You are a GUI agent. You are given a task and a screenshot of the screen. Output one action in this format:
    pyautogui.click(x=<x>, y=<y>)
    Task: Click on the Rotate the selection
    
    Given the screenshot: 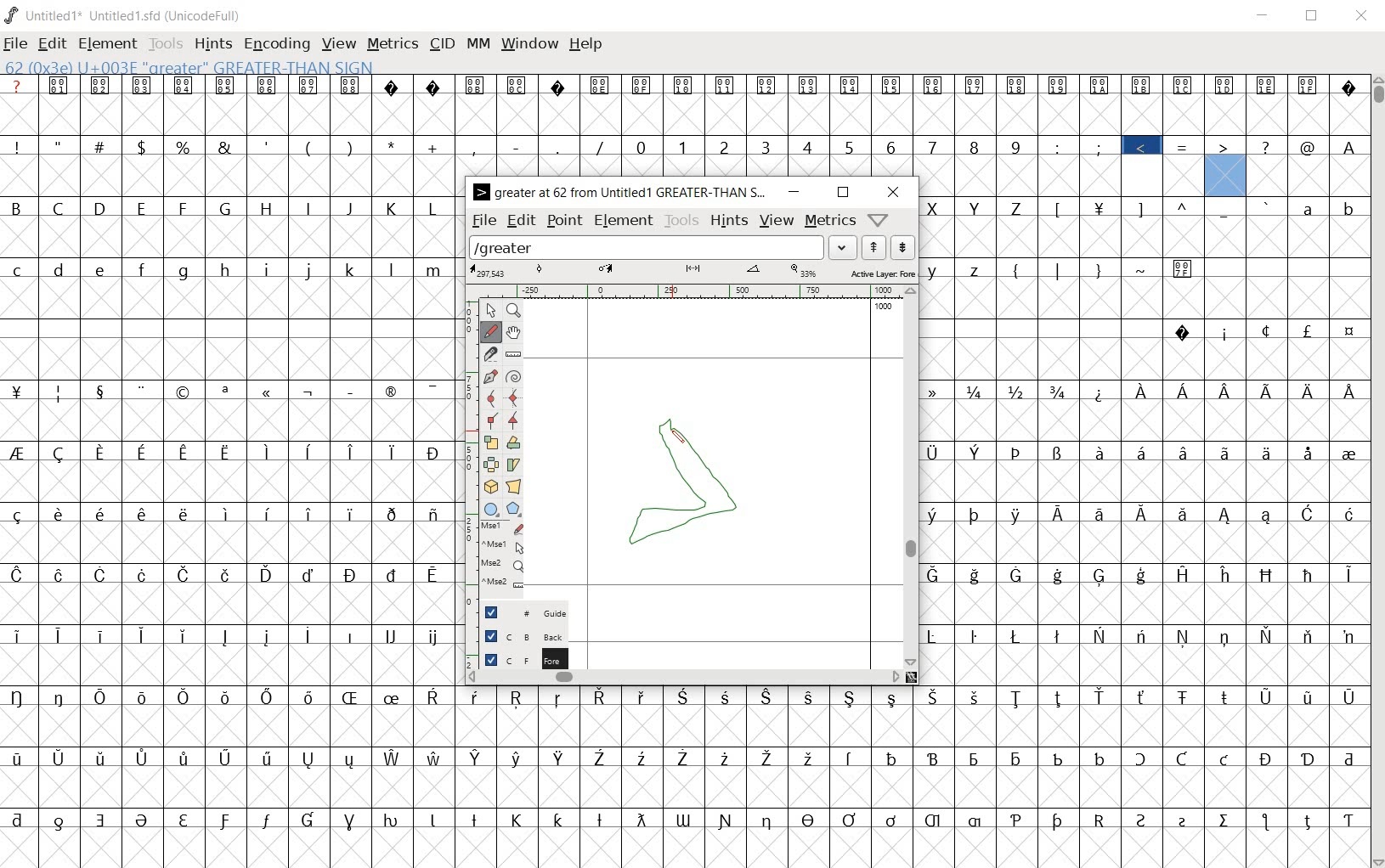 What is the action you would take?
    pyautogui.click(x=514, y=442)
    